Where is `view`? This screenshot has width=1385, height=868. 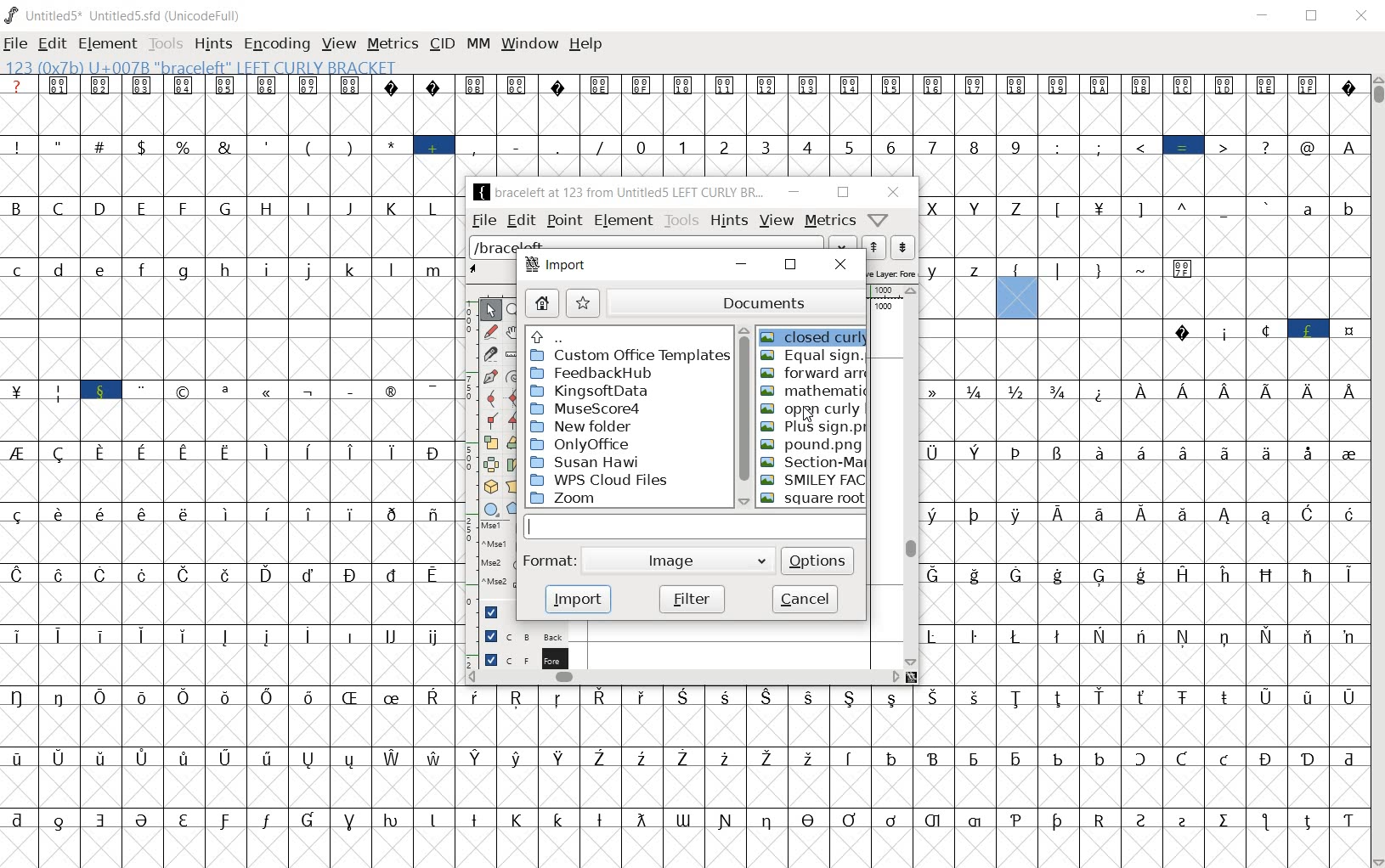 view is located at coordinates (336, 43).